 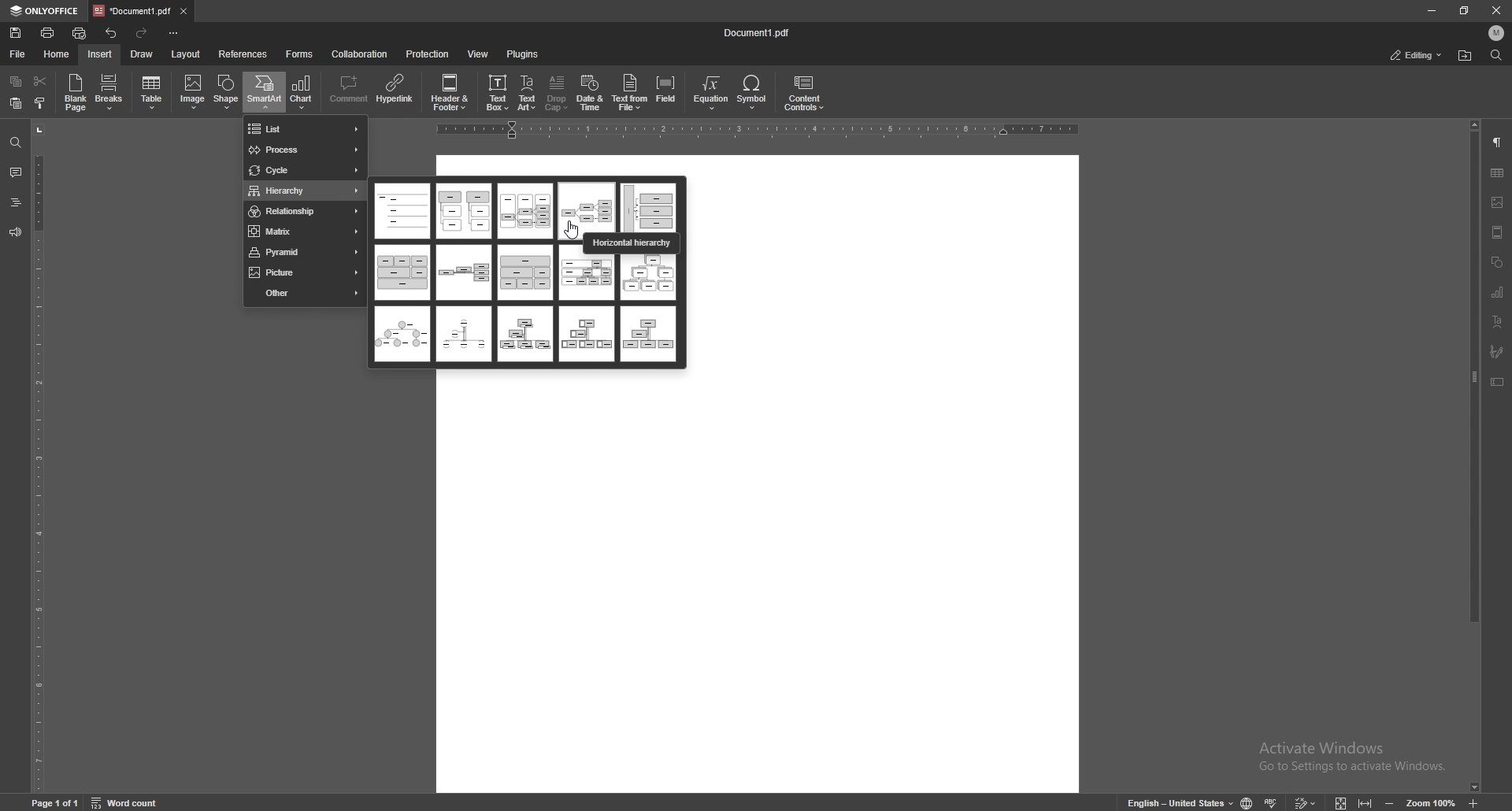 What do you see at coordinates (1499, 233) in the screenshot?
I see `header and footer` at bounding box center [1499, 233].